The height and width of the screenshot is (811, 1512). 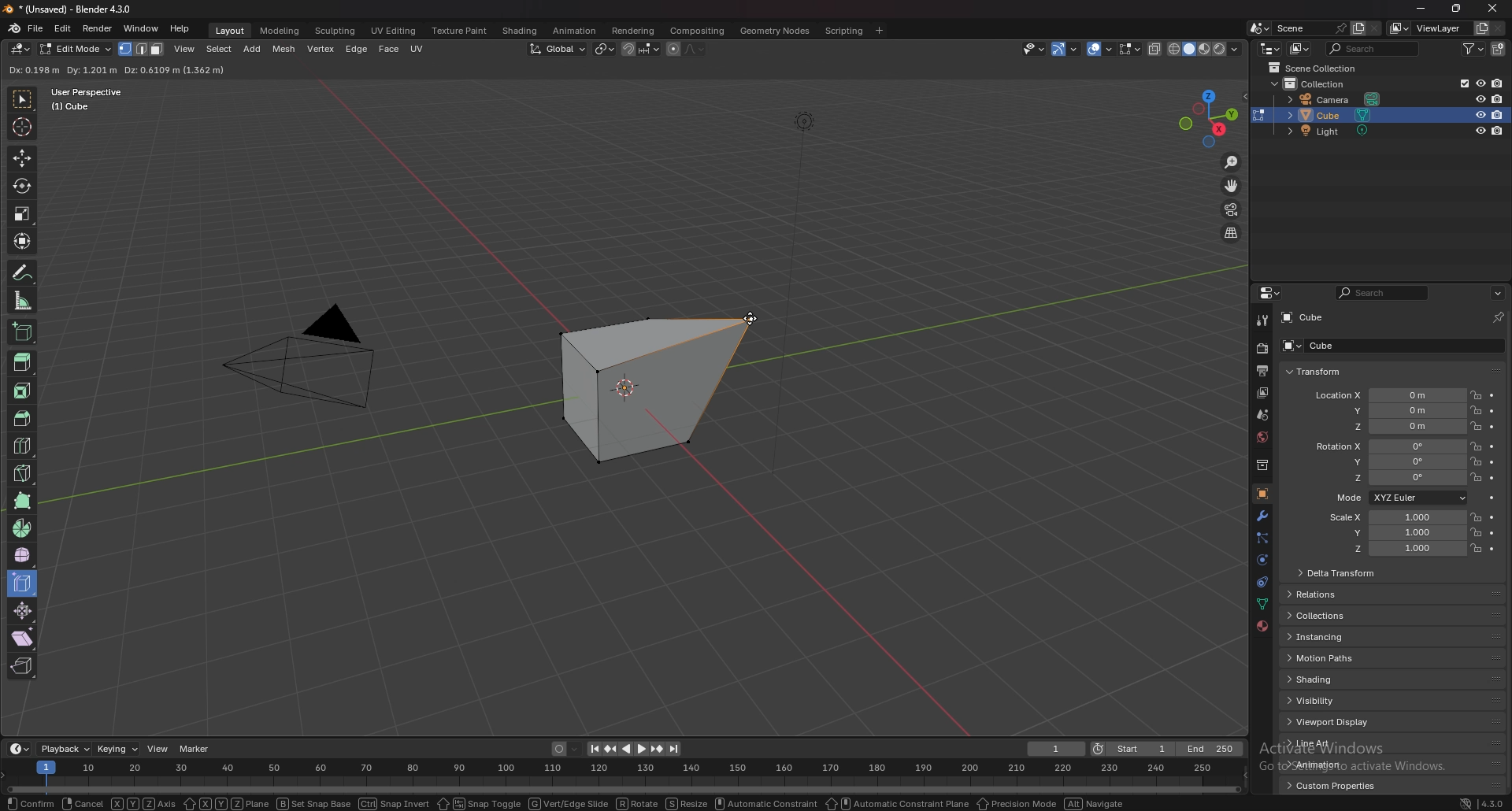 I want to click on status bar, so click(x=756, y=801).